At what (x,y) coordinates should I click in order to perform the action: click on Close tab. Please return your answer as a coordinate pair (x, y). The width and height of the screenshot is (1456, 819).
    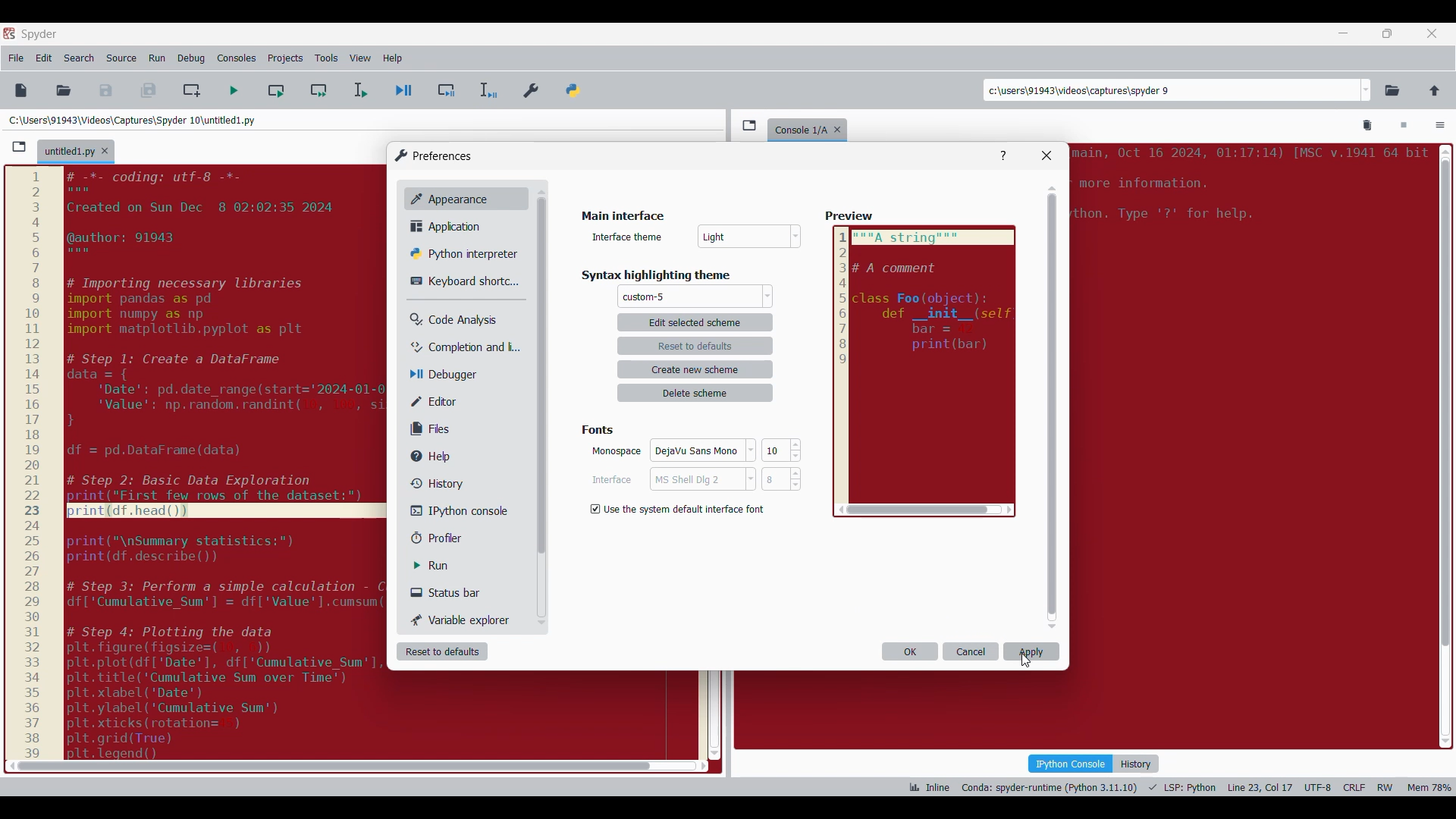
    Looking at the image, I should click on (1432, 33).